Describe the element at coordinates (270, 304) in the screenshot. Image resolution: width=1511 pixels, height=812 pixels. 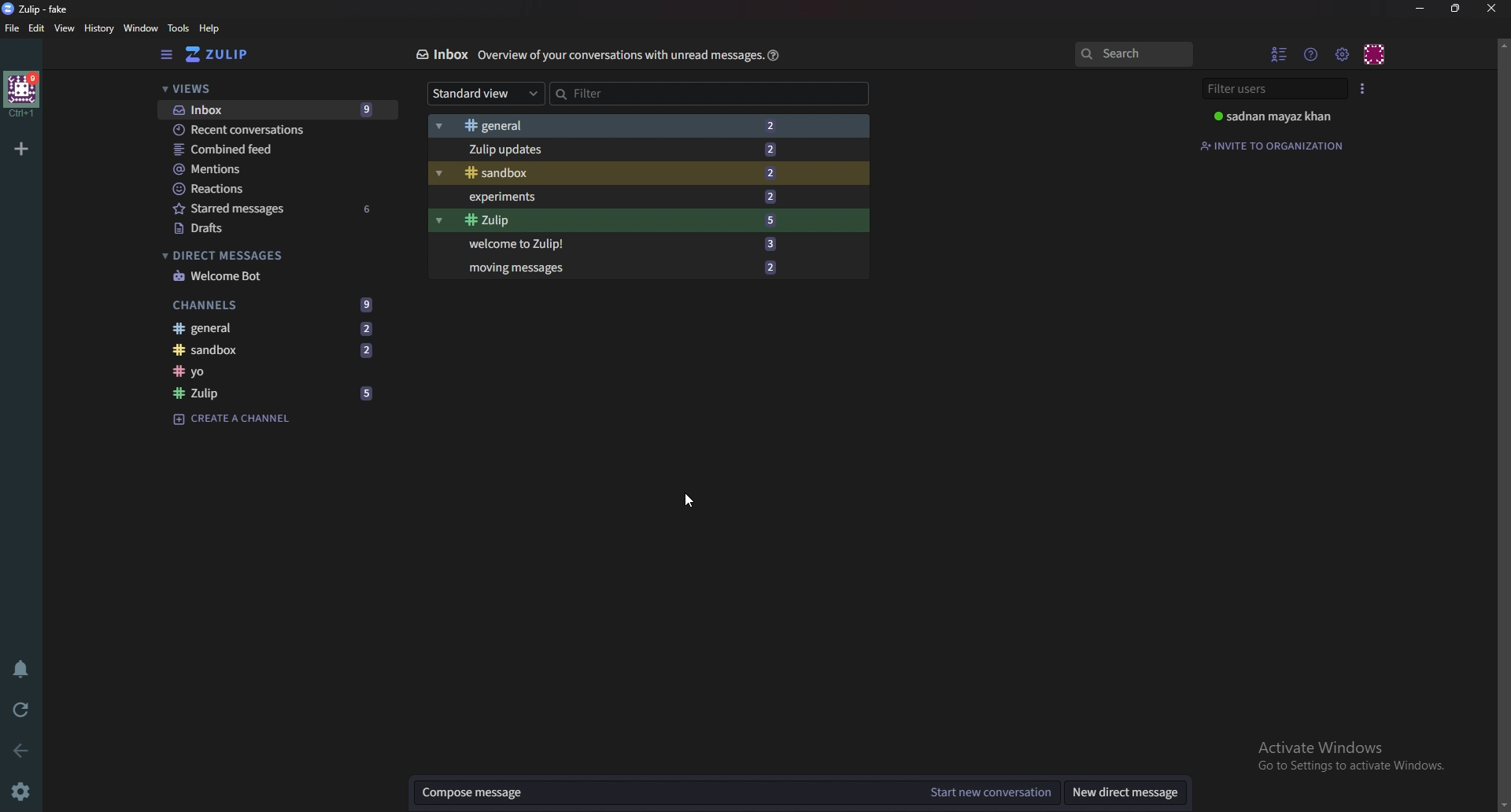
I see `Channels` at that location.